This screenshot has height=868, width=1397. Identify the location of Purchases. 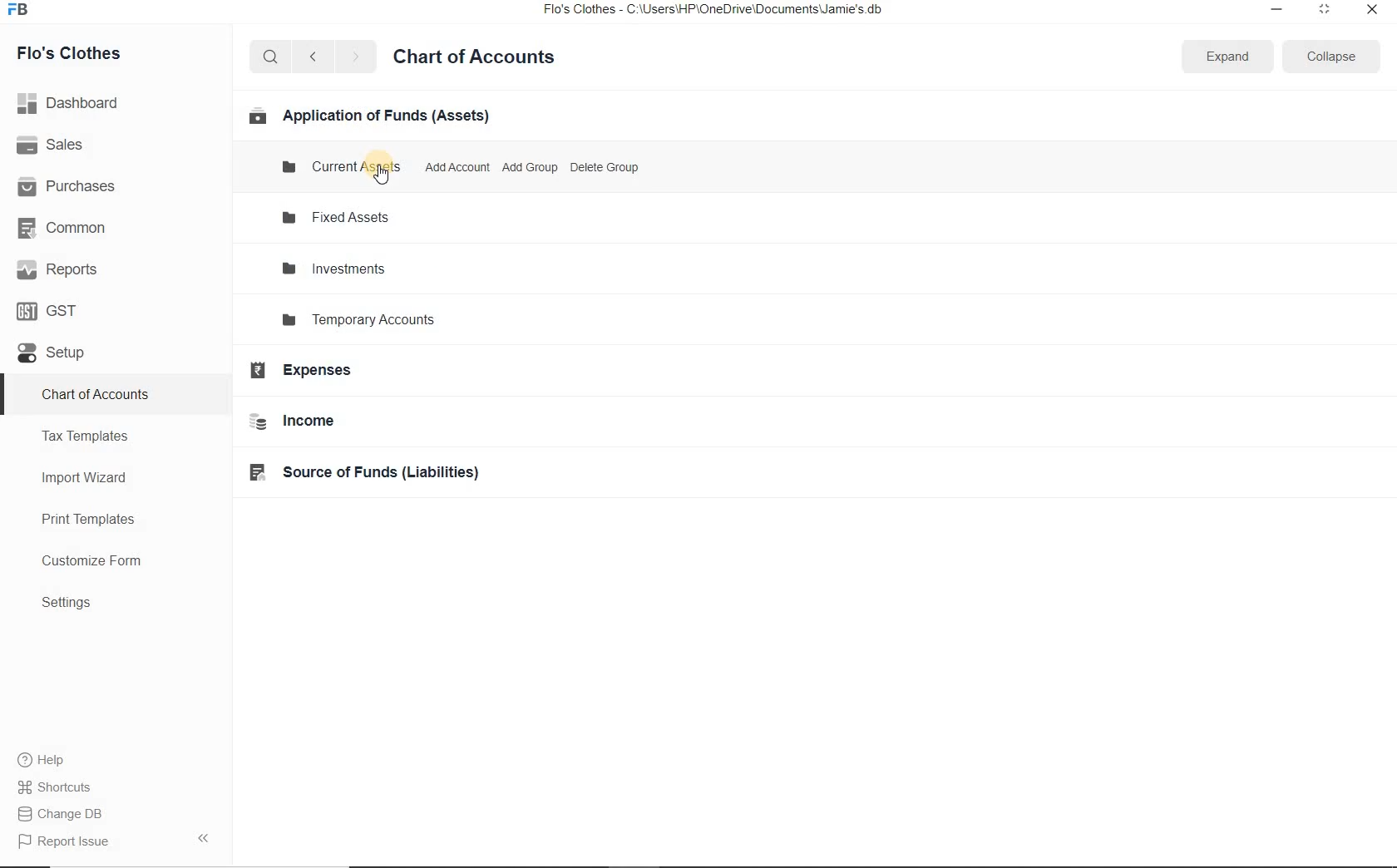
(74, 185).